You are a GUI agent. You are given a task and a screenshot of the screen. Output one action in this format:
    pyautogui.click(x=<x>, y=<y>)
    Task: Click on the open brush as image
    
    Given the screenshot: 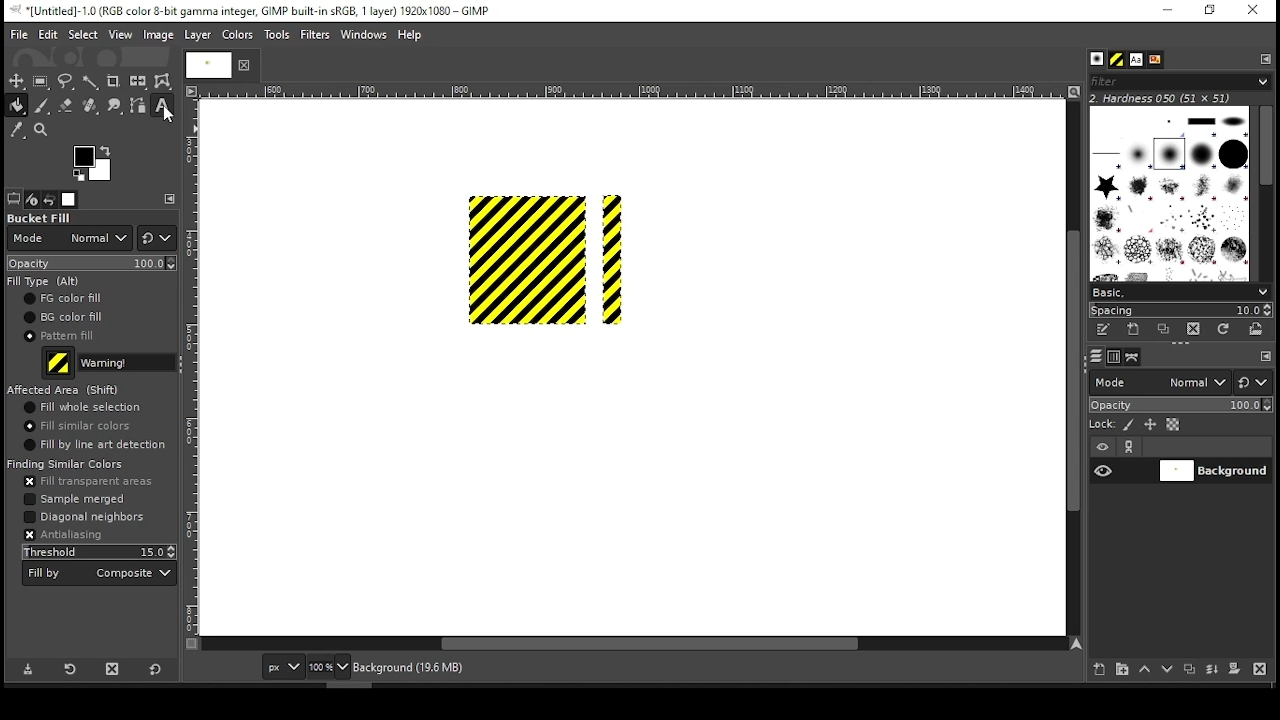 What is the action you would take?
    pyautogui.click(x=1257, y=329)
    